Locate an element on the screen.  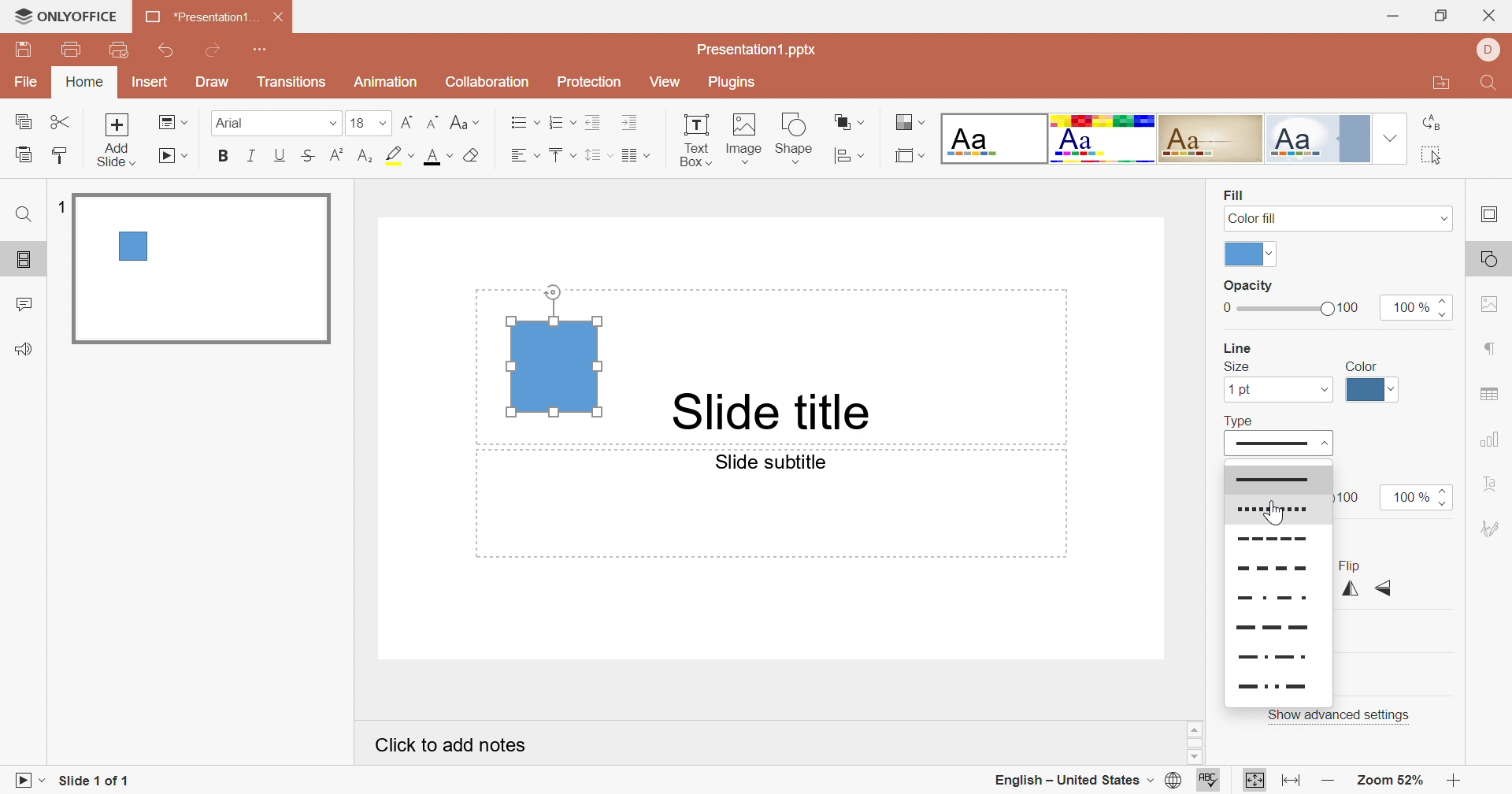
Zoom in is located at coordinates (1453, 779).